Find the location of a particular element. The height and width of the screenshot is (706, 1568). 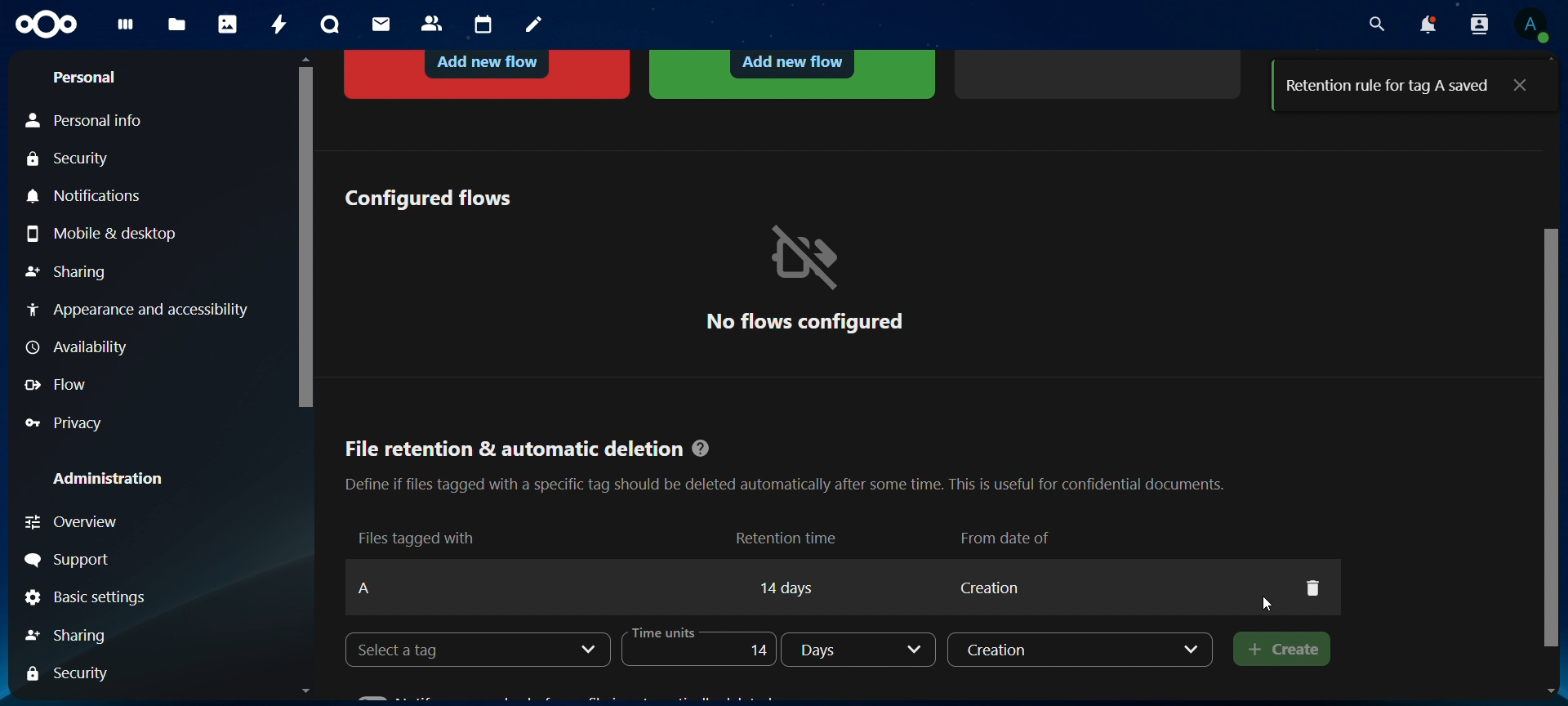

personal is located at coordinates (83, 78).